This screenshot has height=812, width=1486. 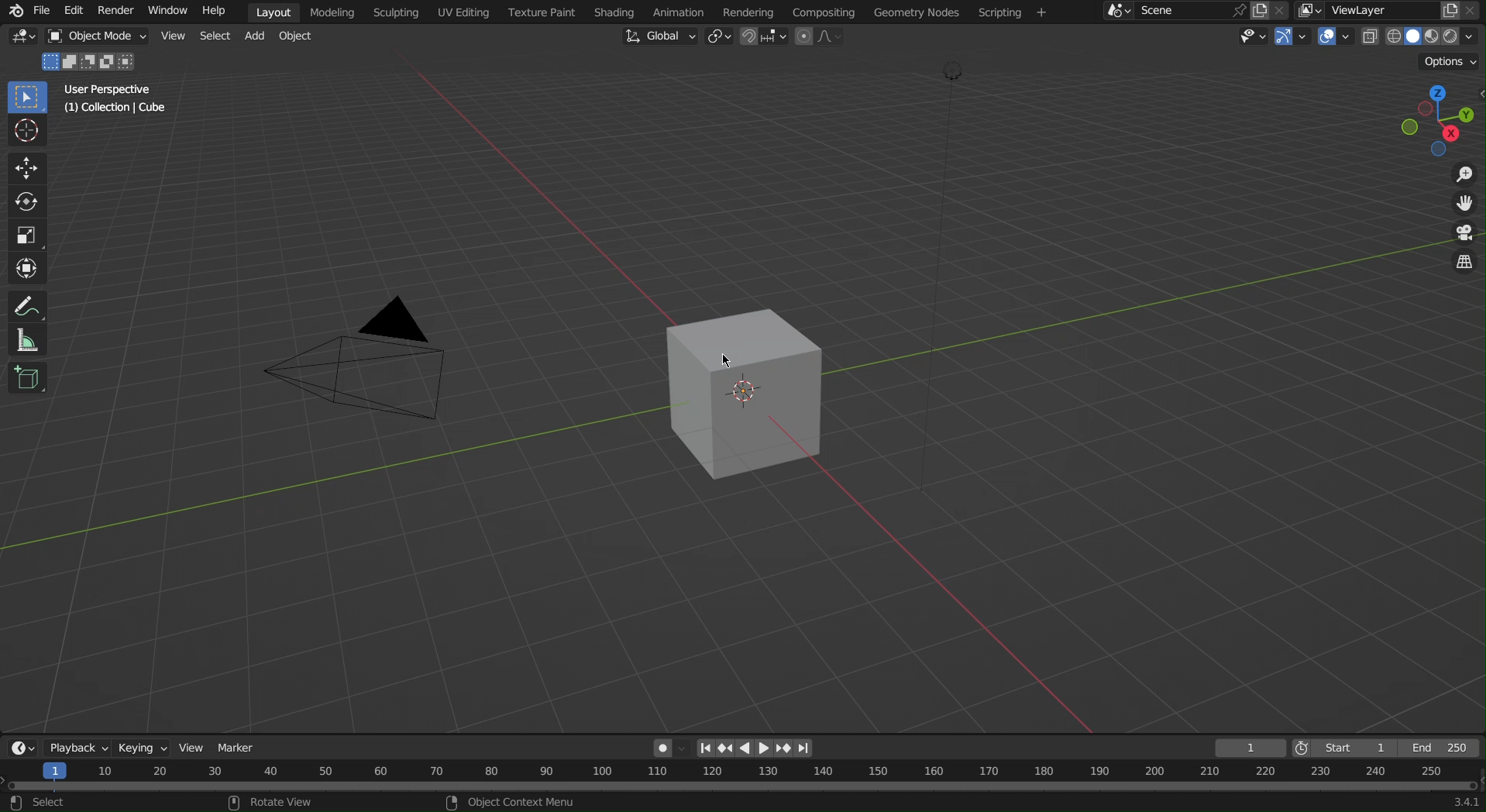 What do you see at coordinates (91, 62) in the screenshot?
I see `Mode` at bounding box center [91, 62].